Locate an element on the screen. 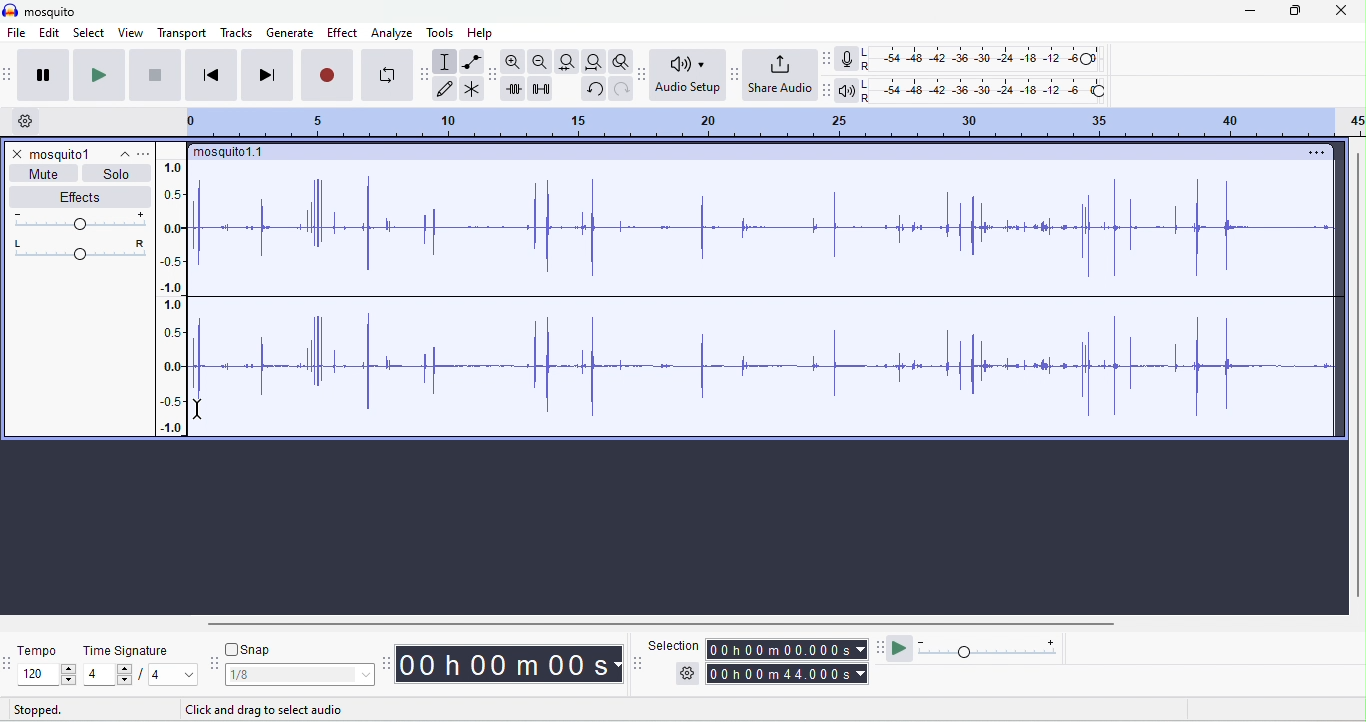 Image resolution: width=1366 pixels, height=722 pixels. two mono tracks transformed into stereo track is located at coordinates (764, 289).